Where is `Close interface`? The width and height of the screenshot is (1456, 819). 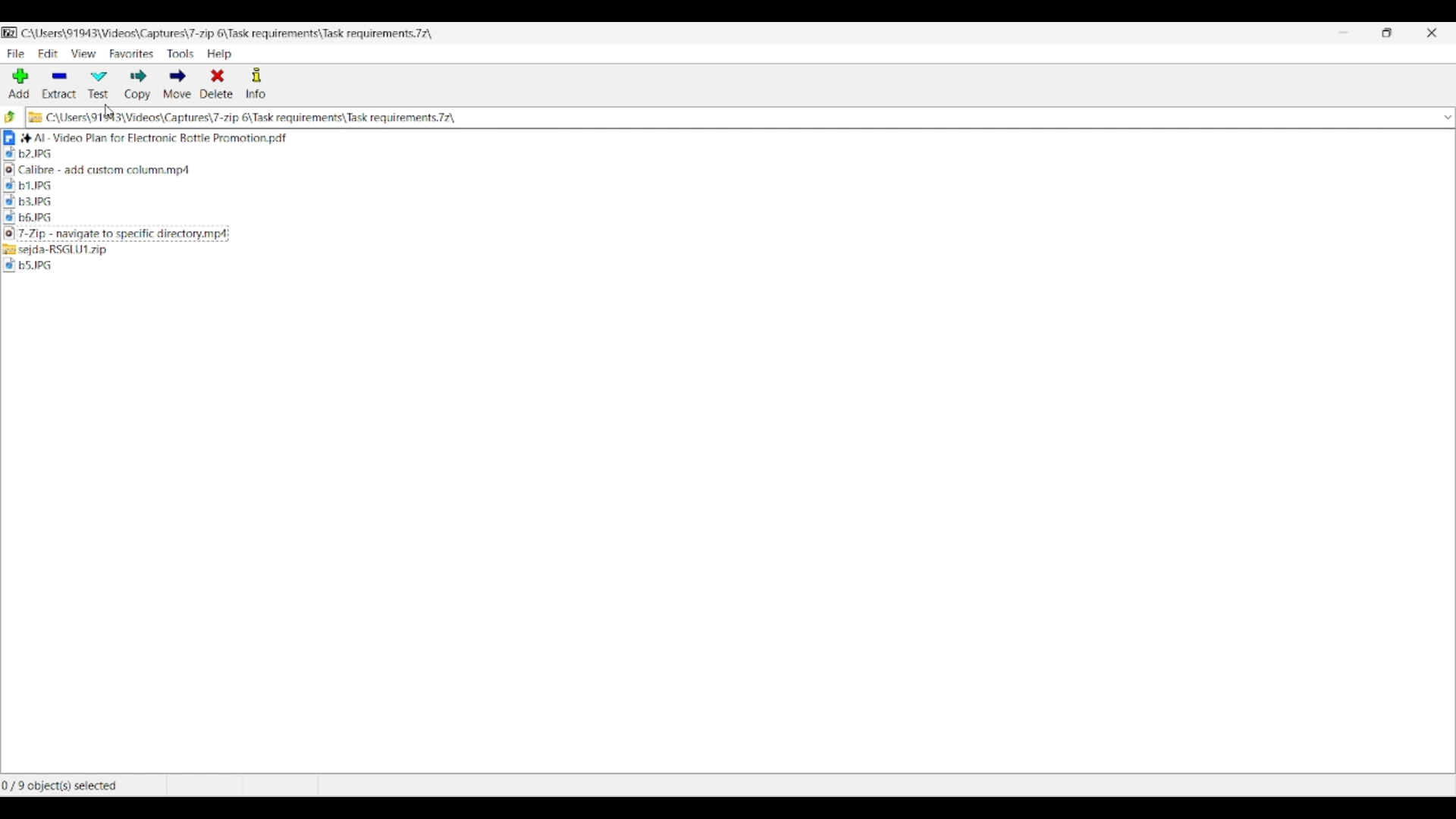 Close interface is located at coordinates (1432, 33).